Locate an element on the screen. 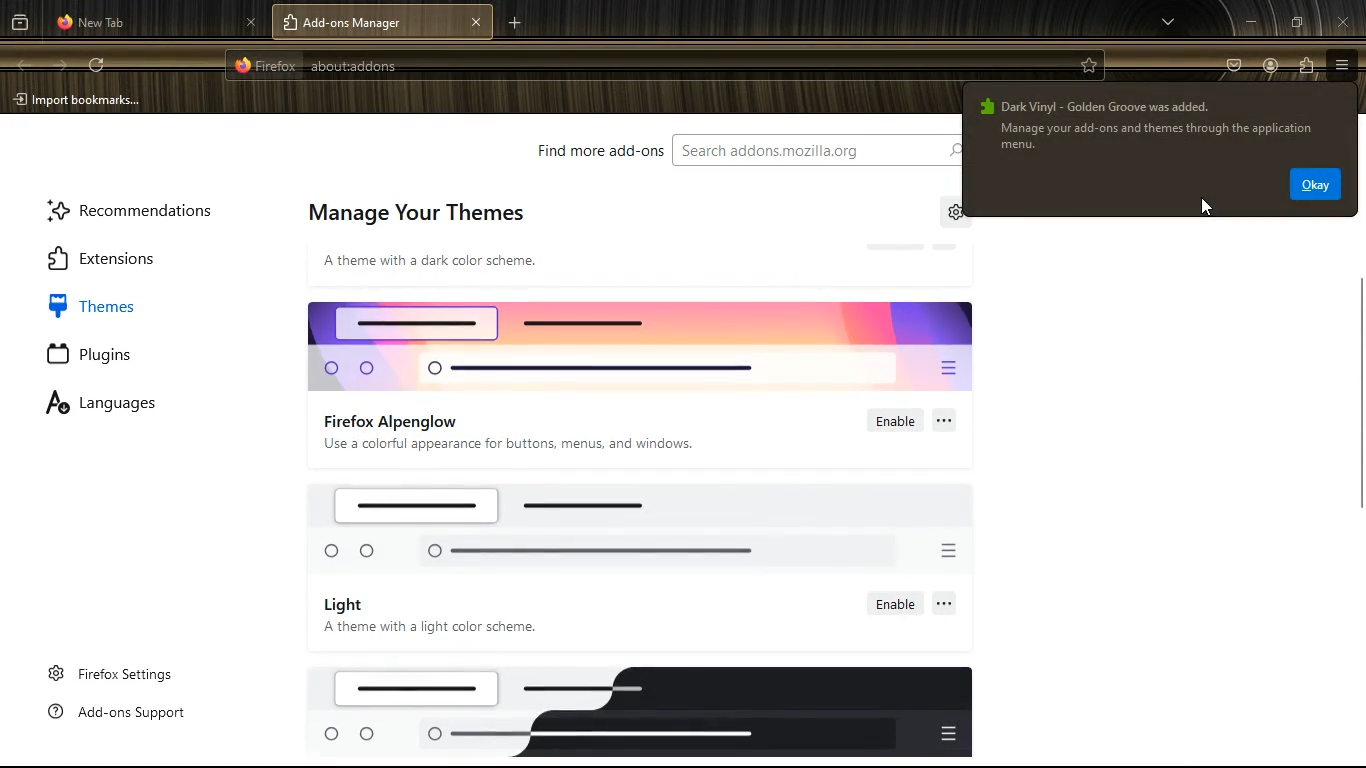 The width and height of the screenshot is (1366, 768). refresh is located at coordinates (98, 66).